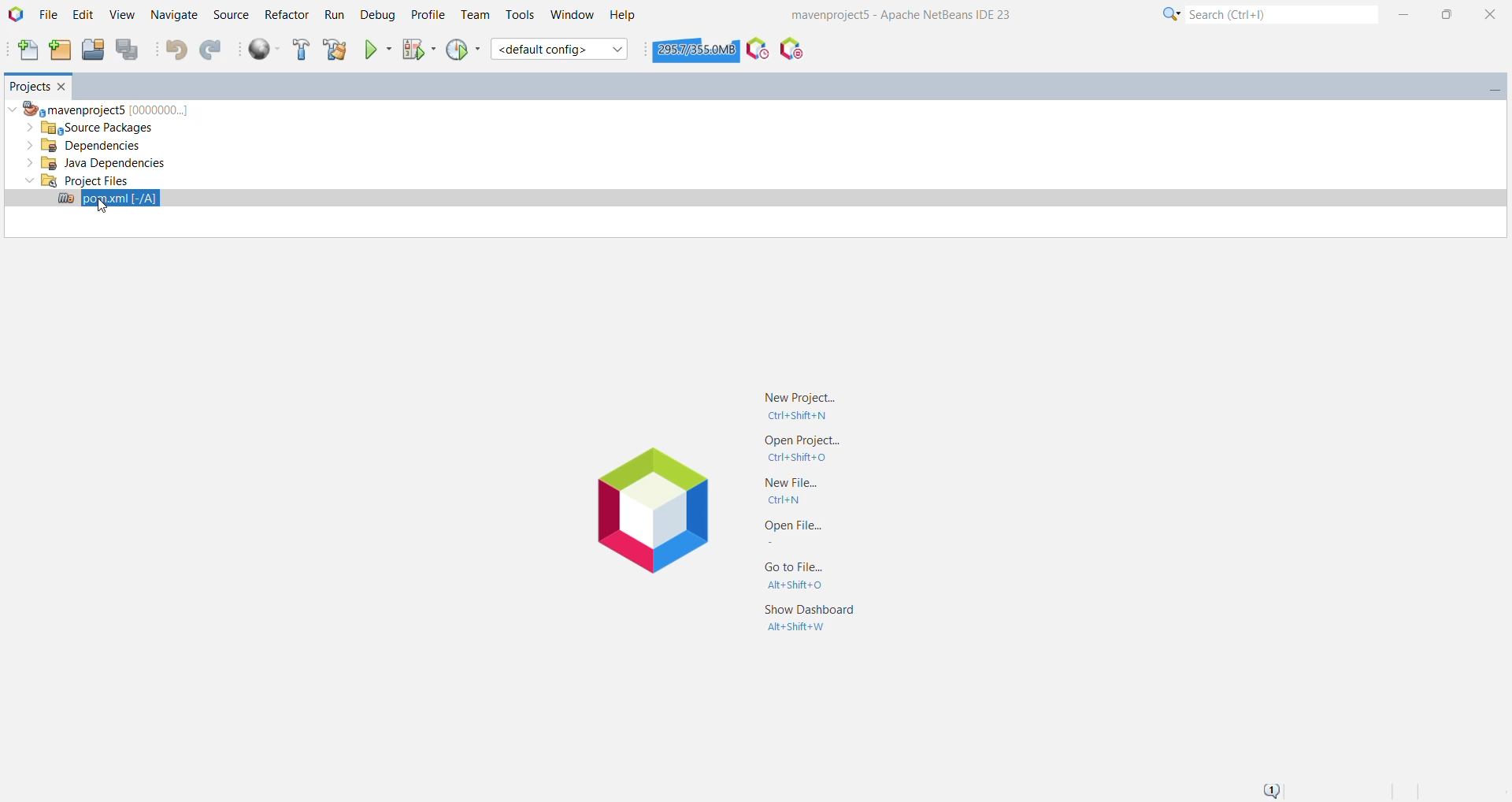 The image size is (1512, 802). What do you see at coordinates (230, 15) in the screenshot?
I see `Source` at bounding box center [230, 15].